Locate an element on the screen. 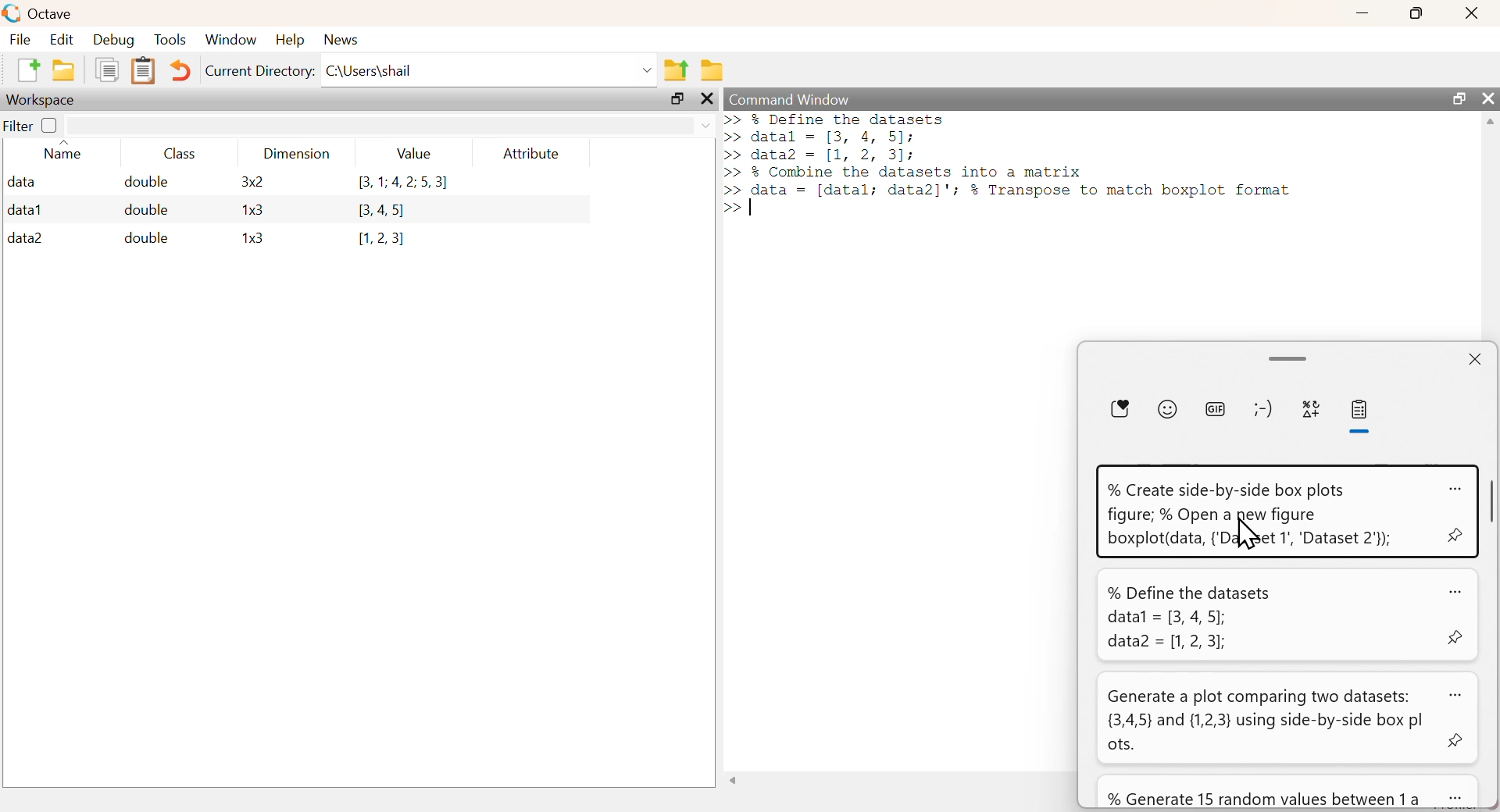  close is located at coordinates (1488, 98).